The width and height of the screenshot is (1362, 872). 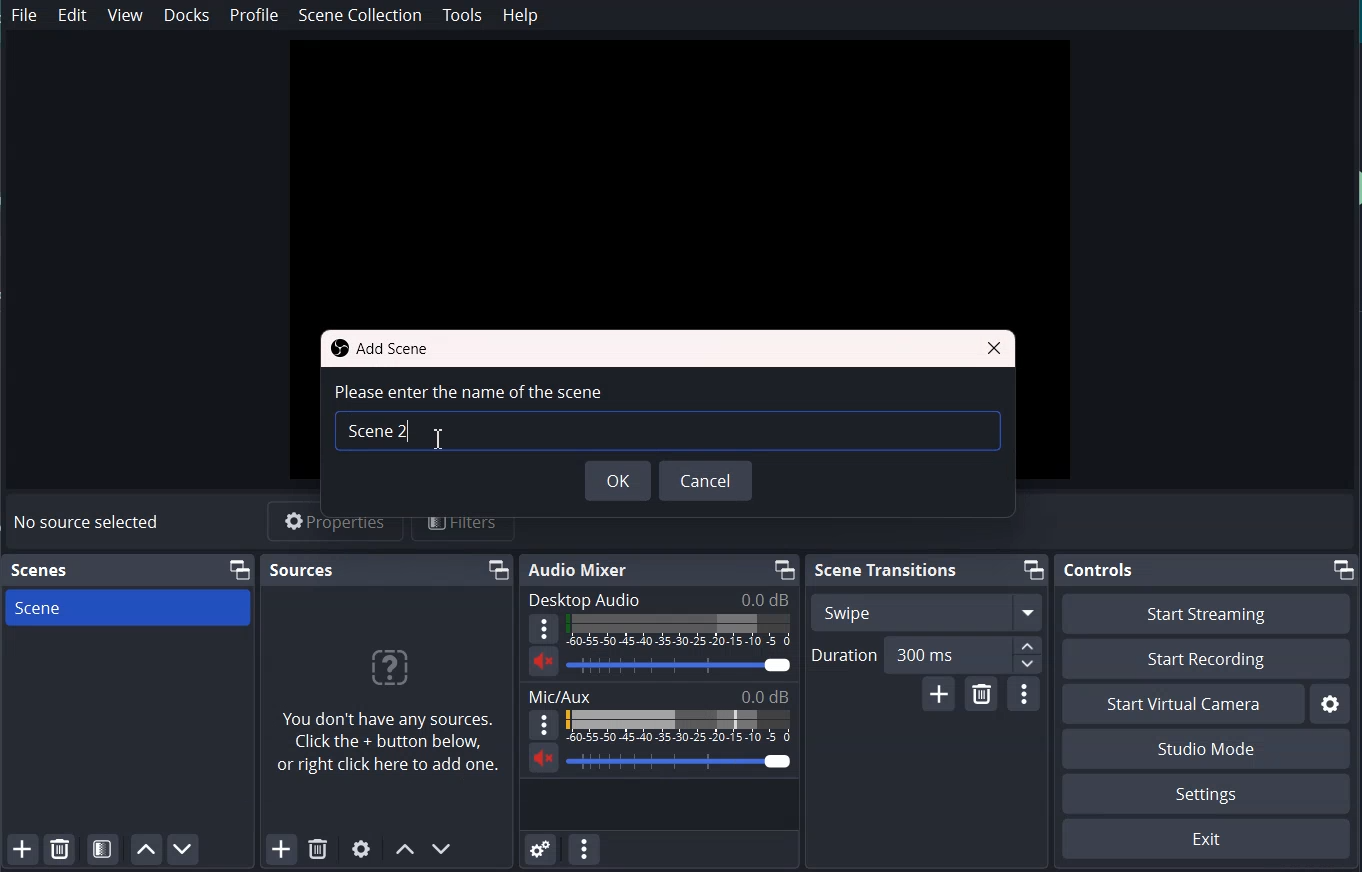 I want to click on Close, so click(x=994, y=348).